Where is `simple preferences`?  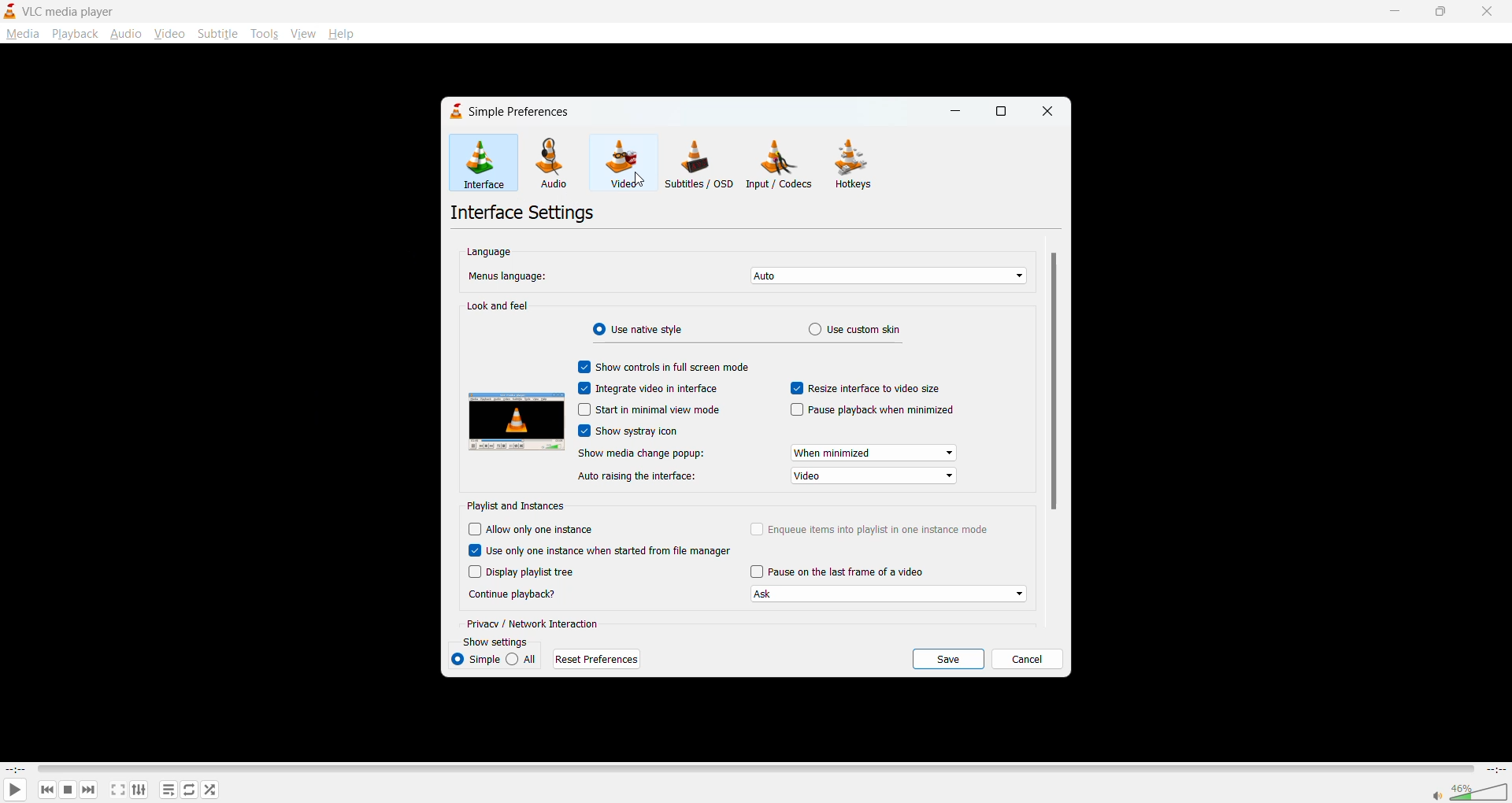
simple preferences is located at coordinates (507, 111).